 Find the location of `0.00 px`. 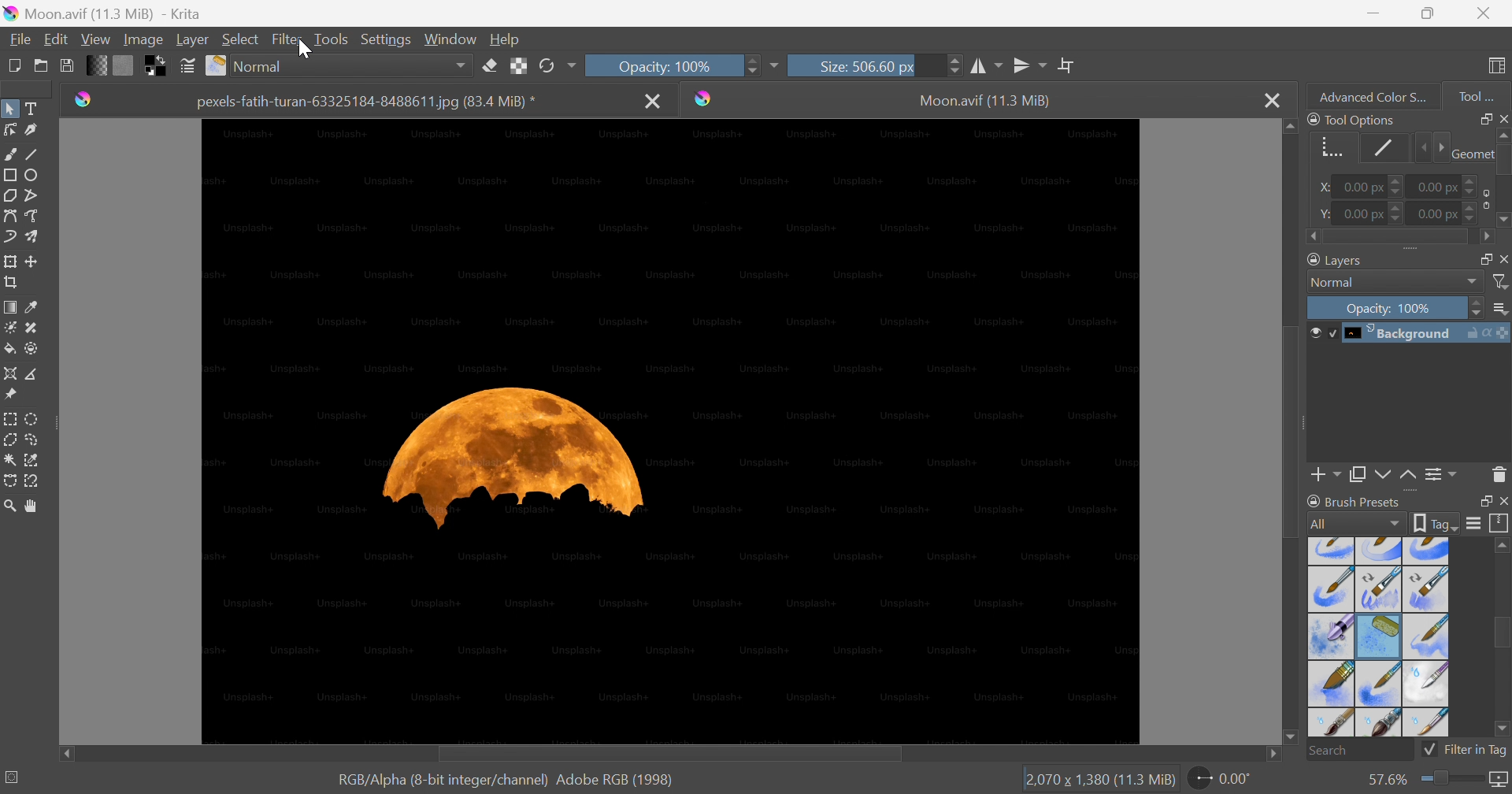

0.00 px is located at coordinates (1368, 213).